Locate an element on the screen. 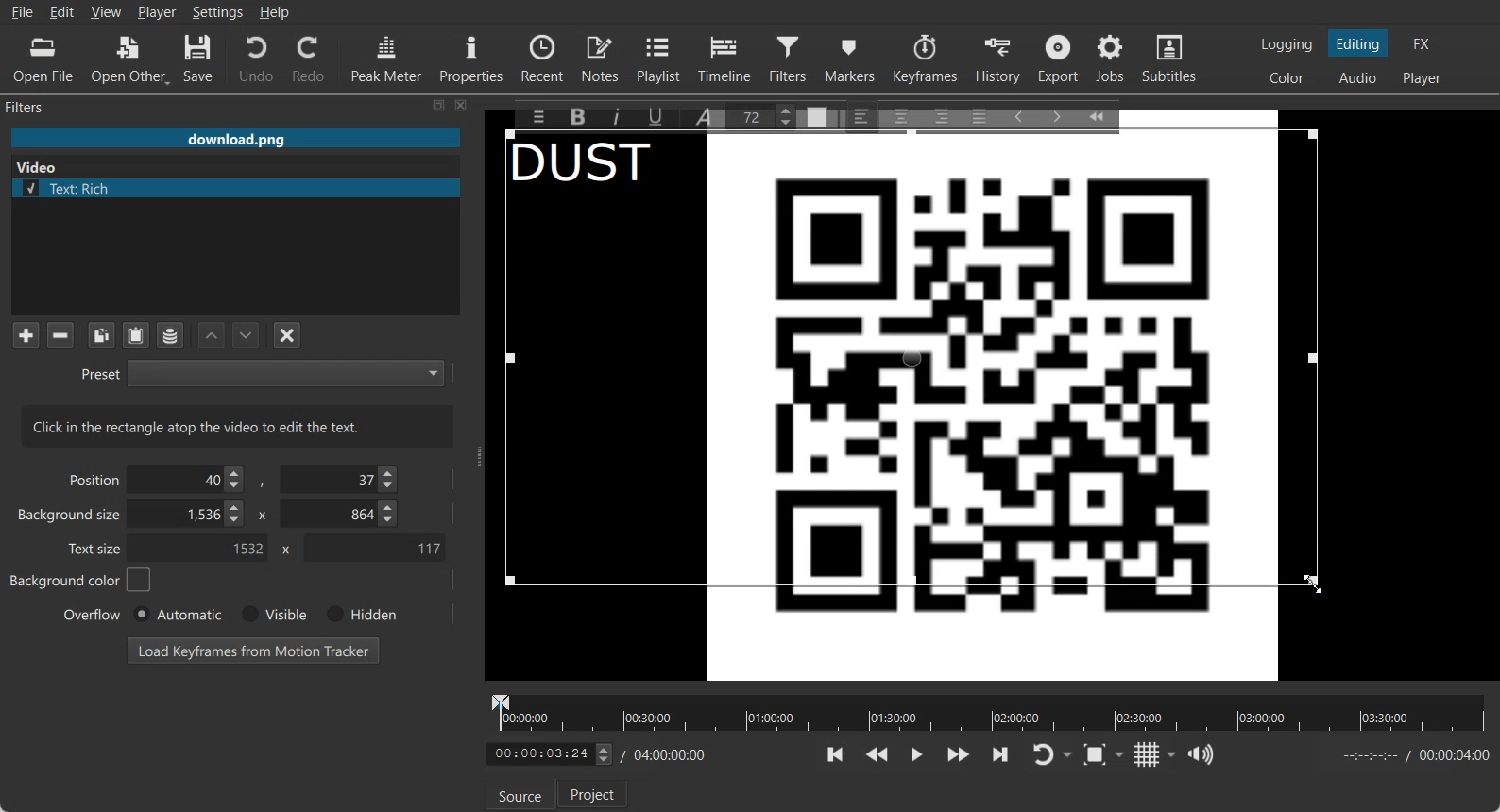 The image size is (1500, 812). Play Quickly backward is located at coordinates (878, 754).